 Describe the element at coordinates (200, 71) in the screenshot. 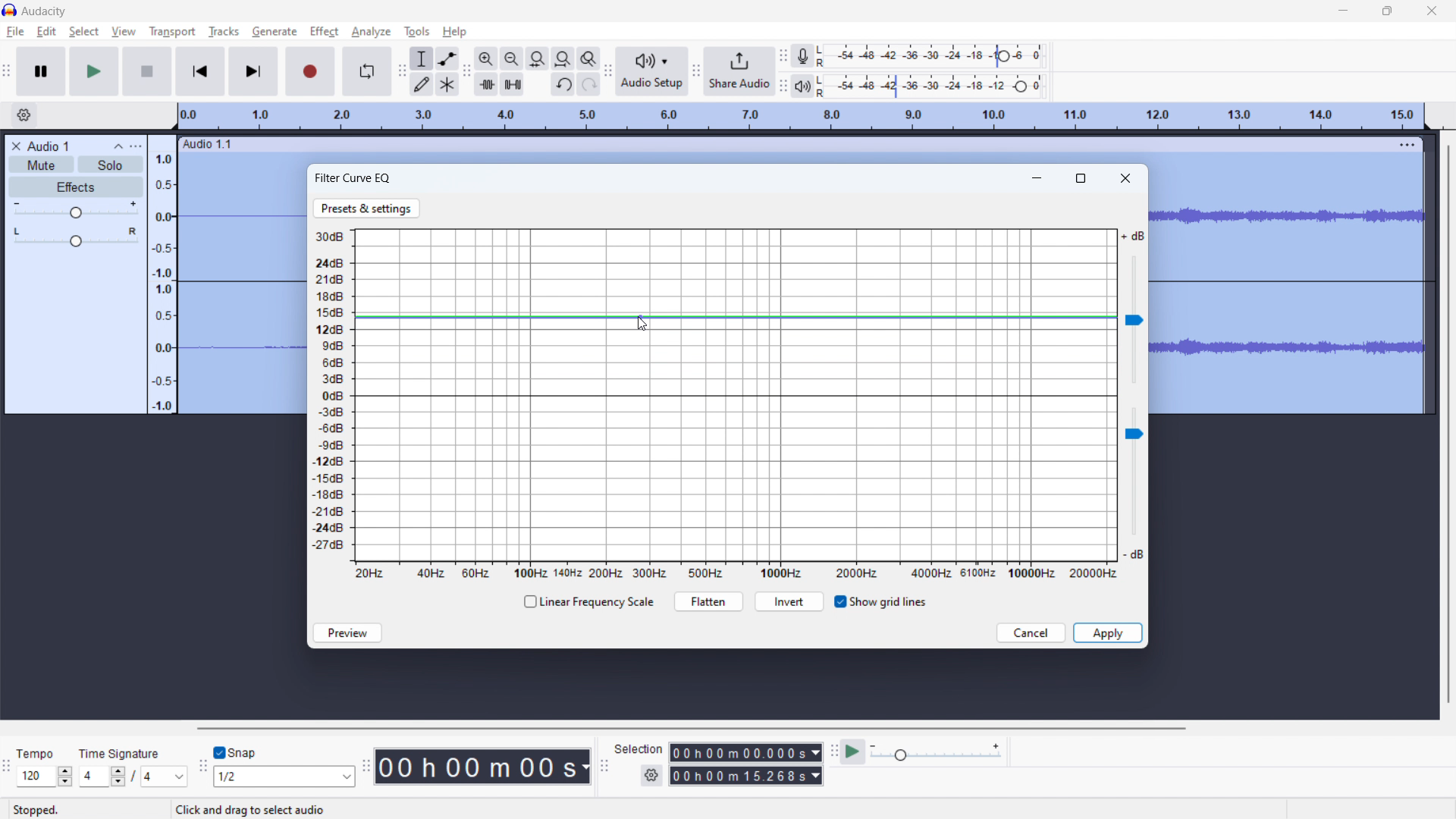

I see `skip to start` at that location.